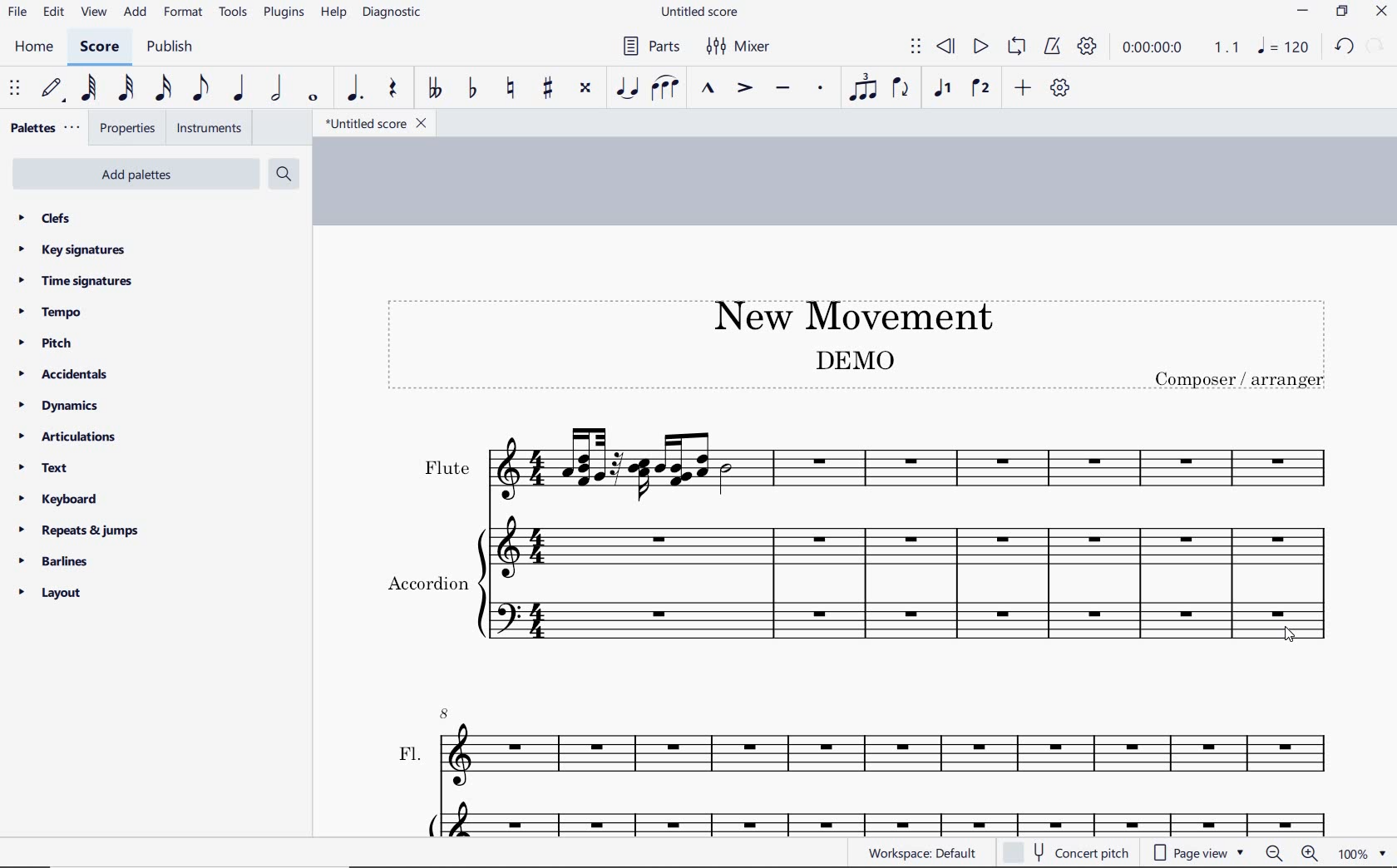  What do you see at coordinates (981, 89) in the screenshot?
I see `voice 2` at bounding box center [981, 89].